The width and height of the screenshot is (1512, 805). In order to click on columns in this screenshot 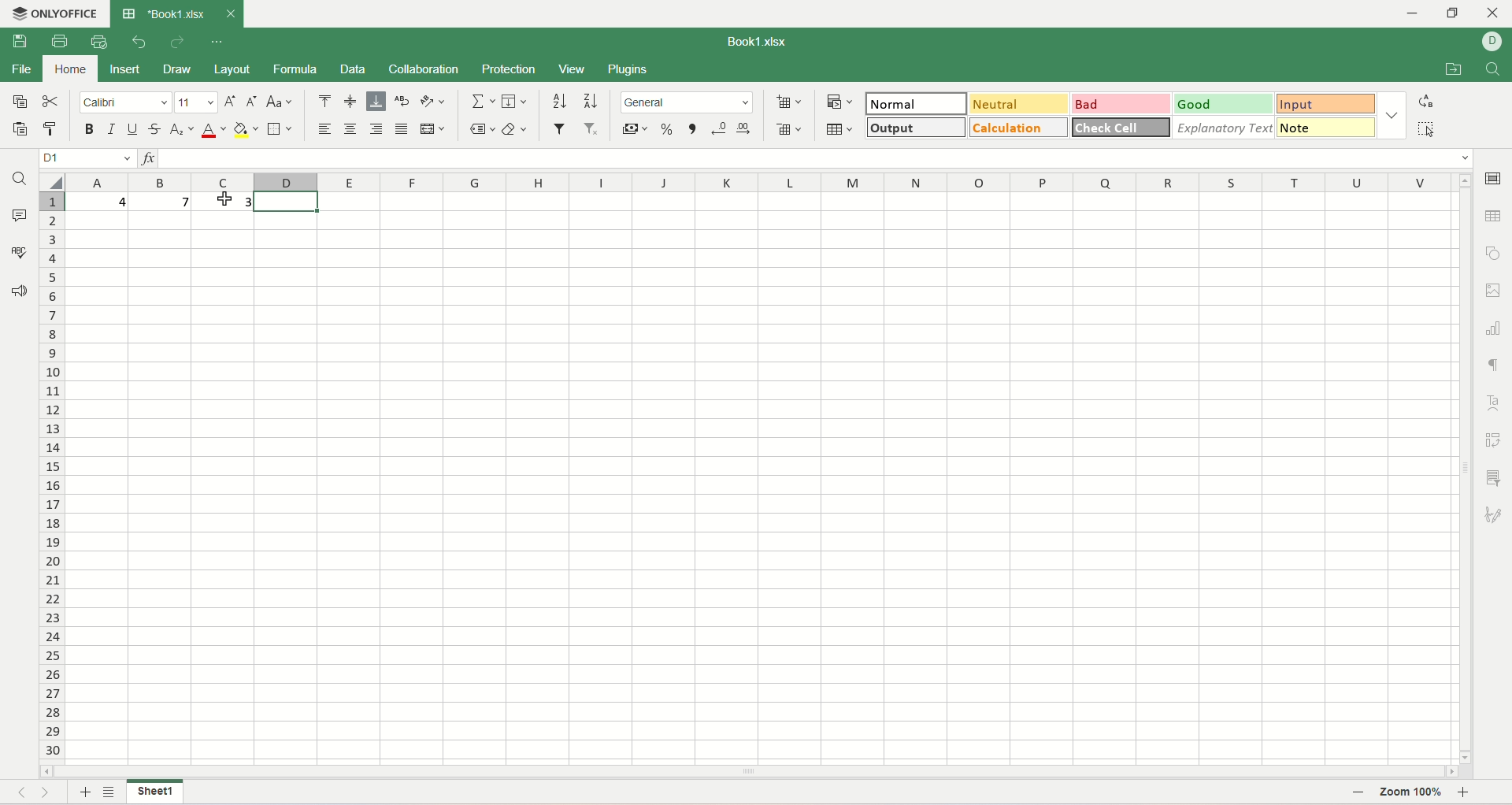, I will do `click(762, 182)`.